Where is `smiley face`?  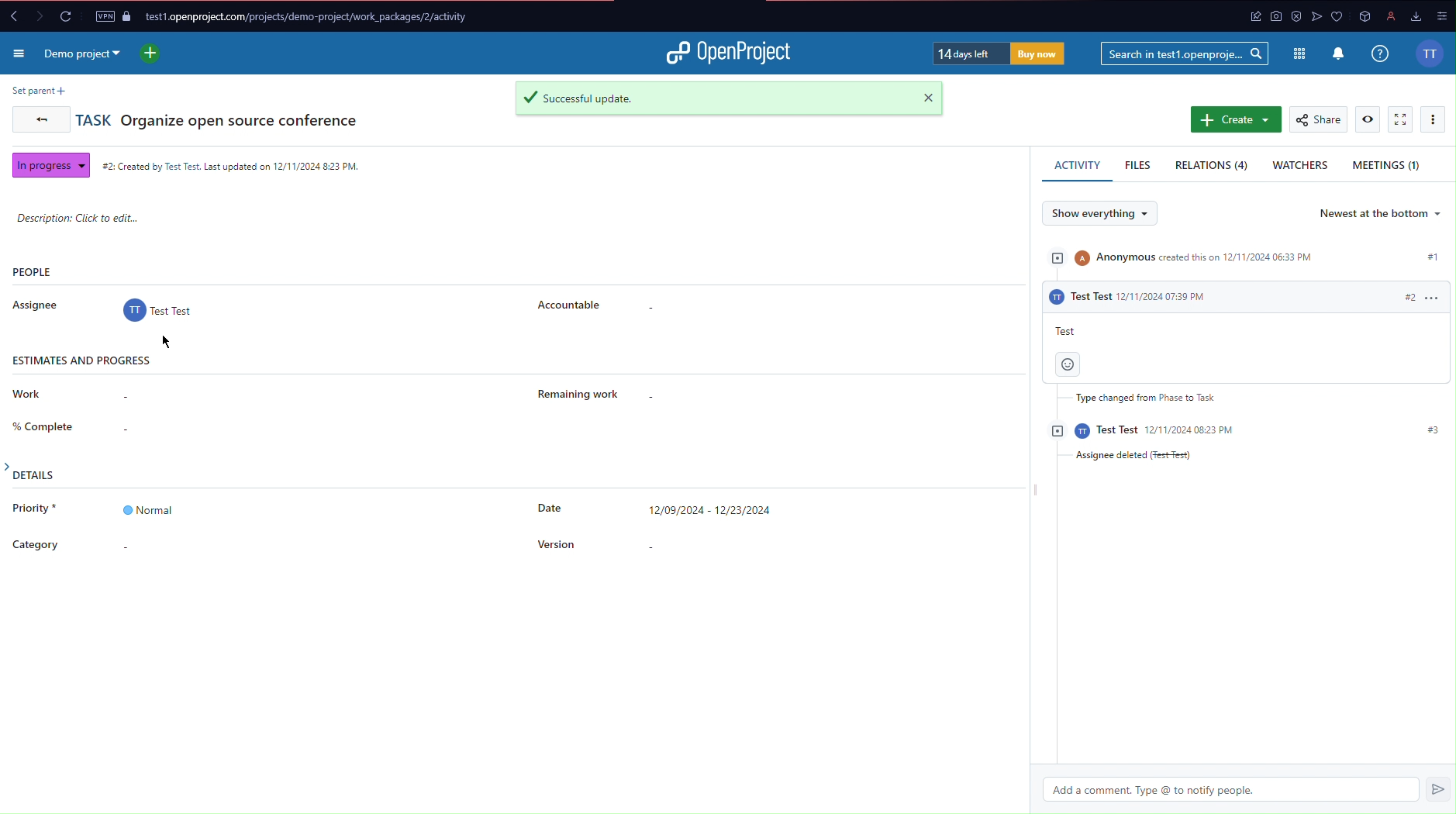 smiley face is located at coordinates (1071, 364).